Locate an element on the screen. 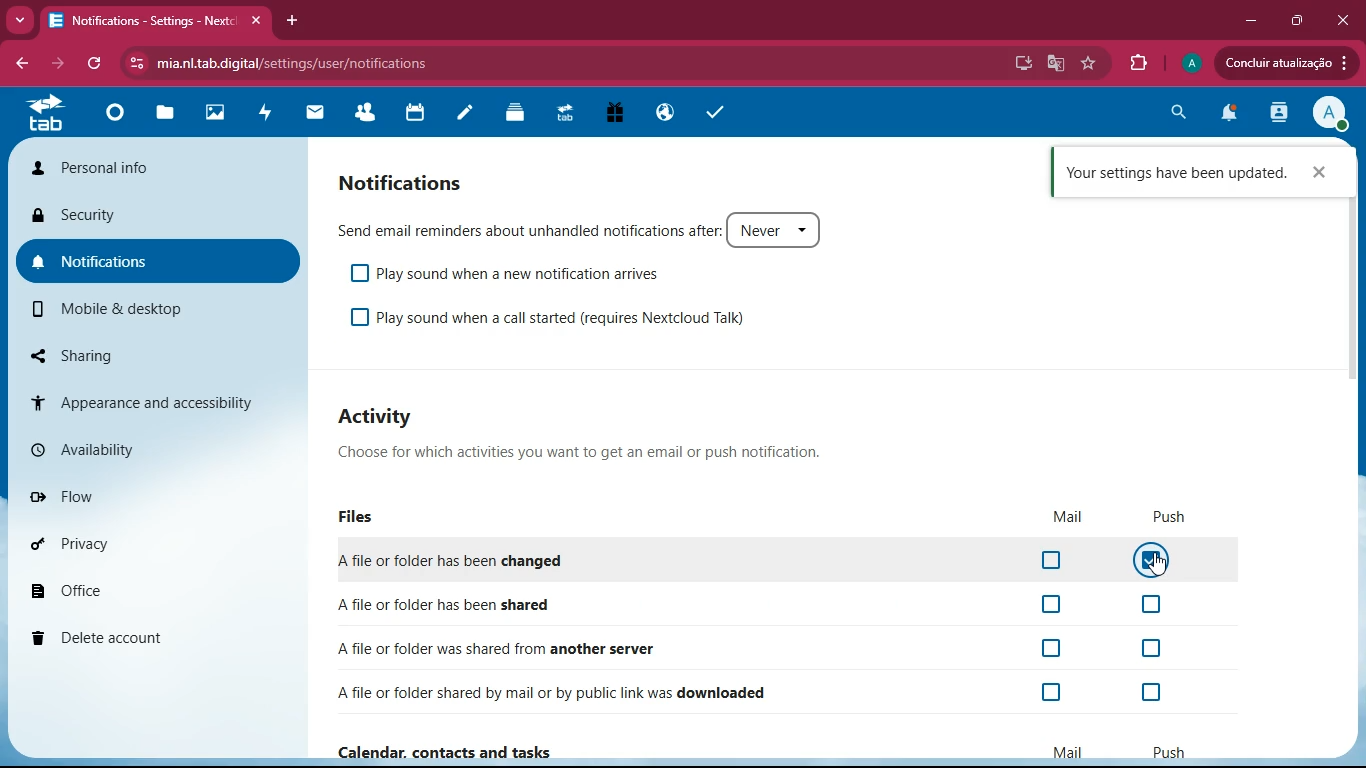  refresh is located at coordinates (95, 64).